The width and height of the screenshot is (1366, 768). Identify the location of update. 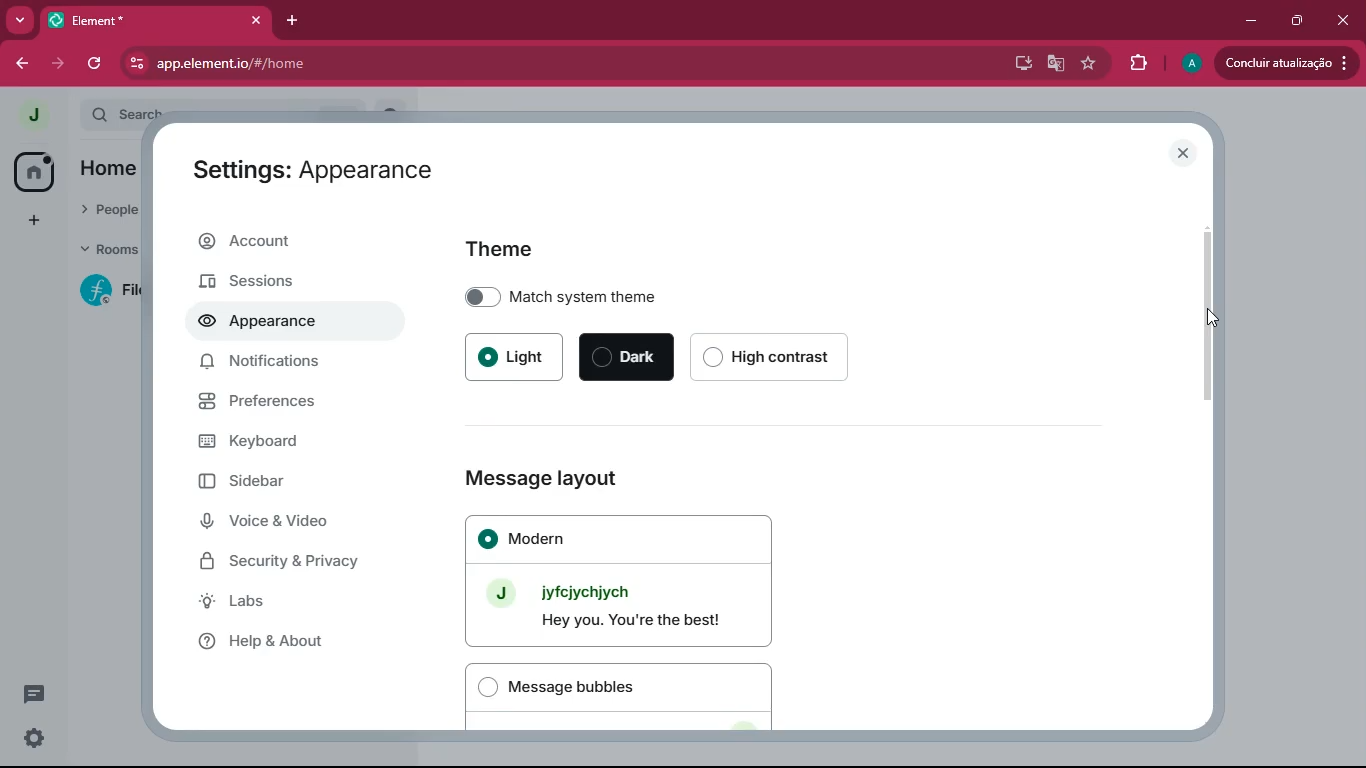
(1286, 63).